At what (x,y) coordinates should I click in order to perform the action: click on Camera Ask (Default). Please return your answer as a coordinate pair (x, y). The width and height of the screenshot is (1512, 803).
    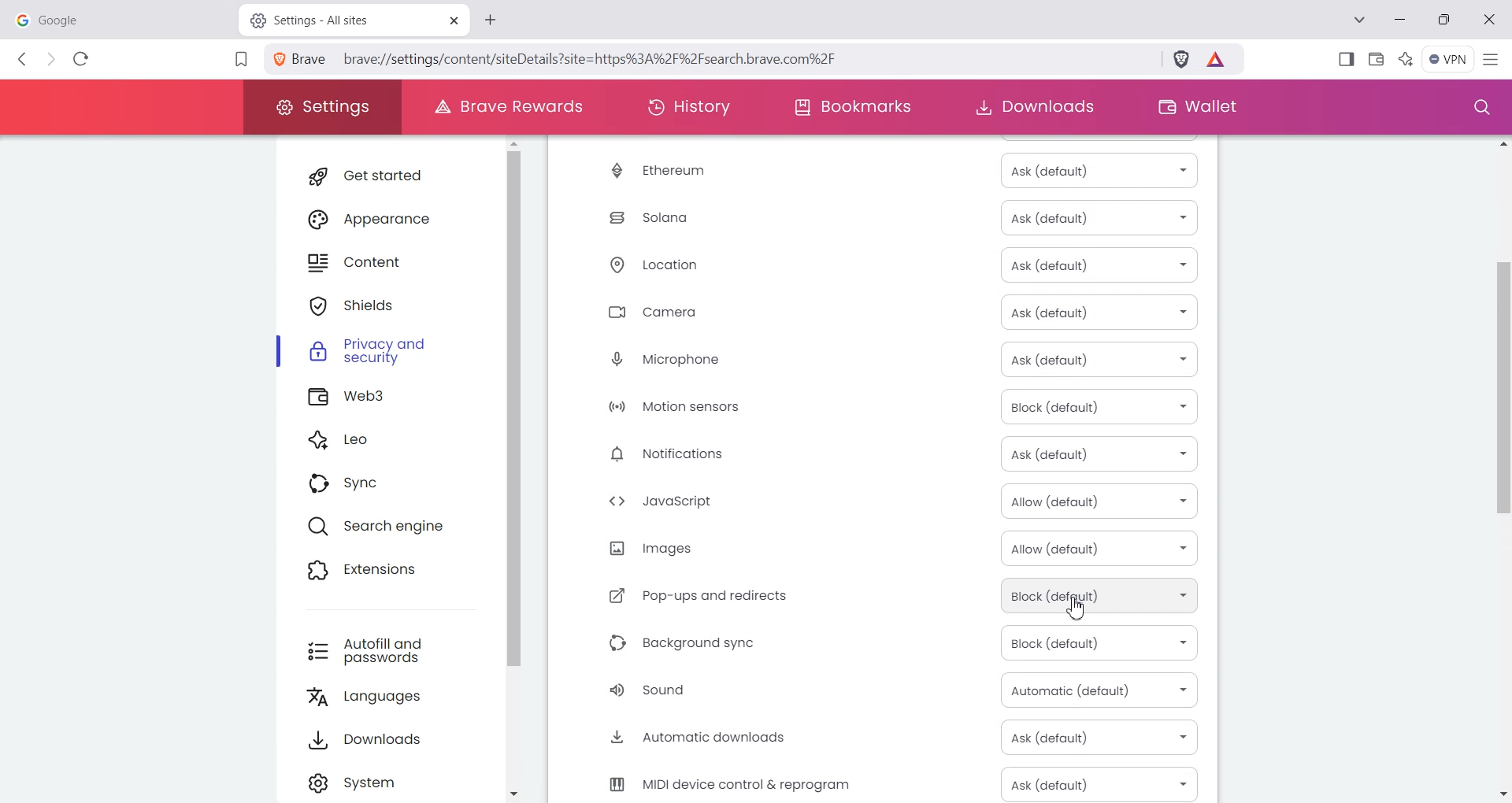
    Looking at the image, I should click on (884, 313).